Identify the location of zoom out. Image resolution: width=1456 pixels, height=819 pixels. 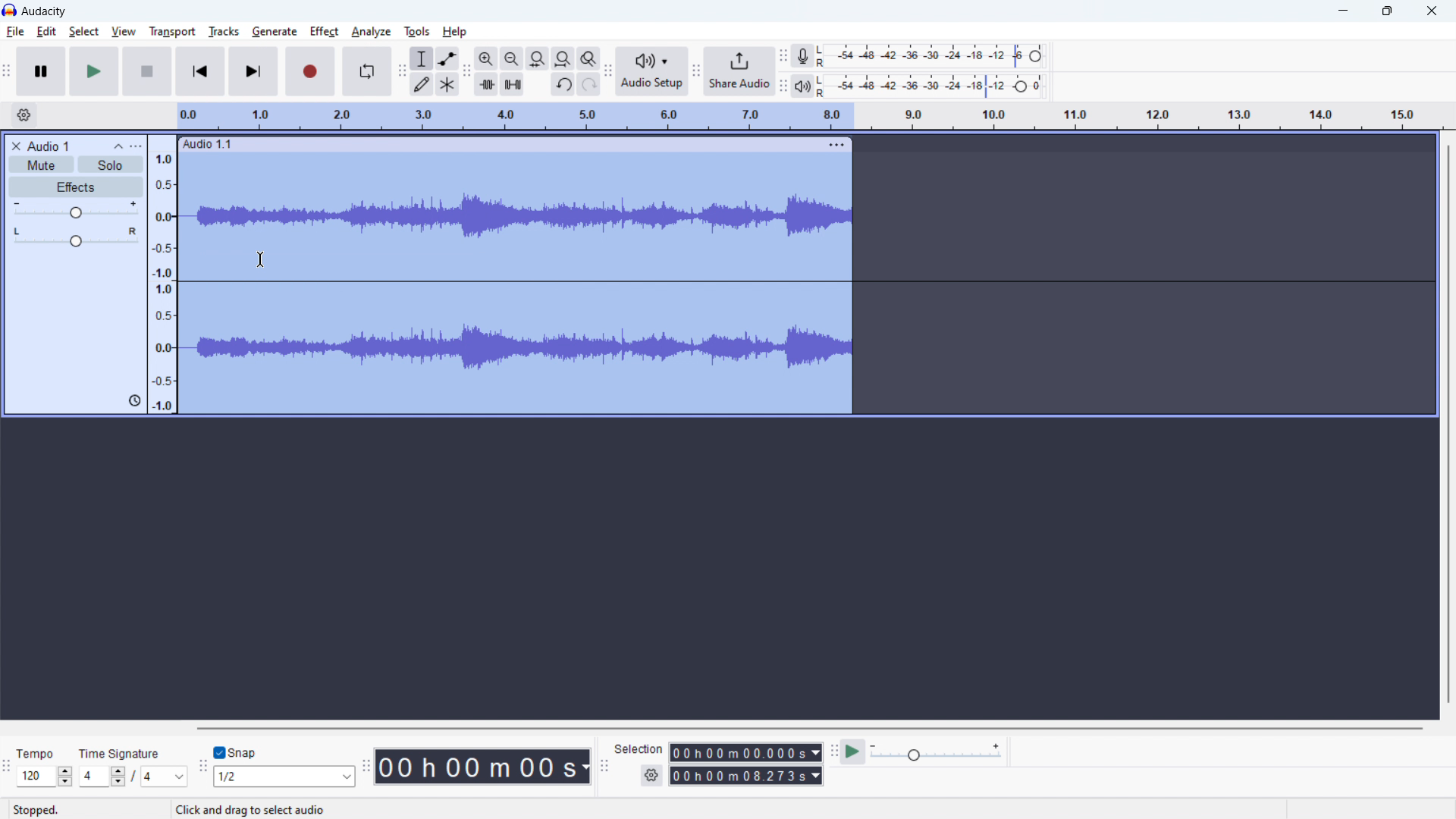
(510, 58).